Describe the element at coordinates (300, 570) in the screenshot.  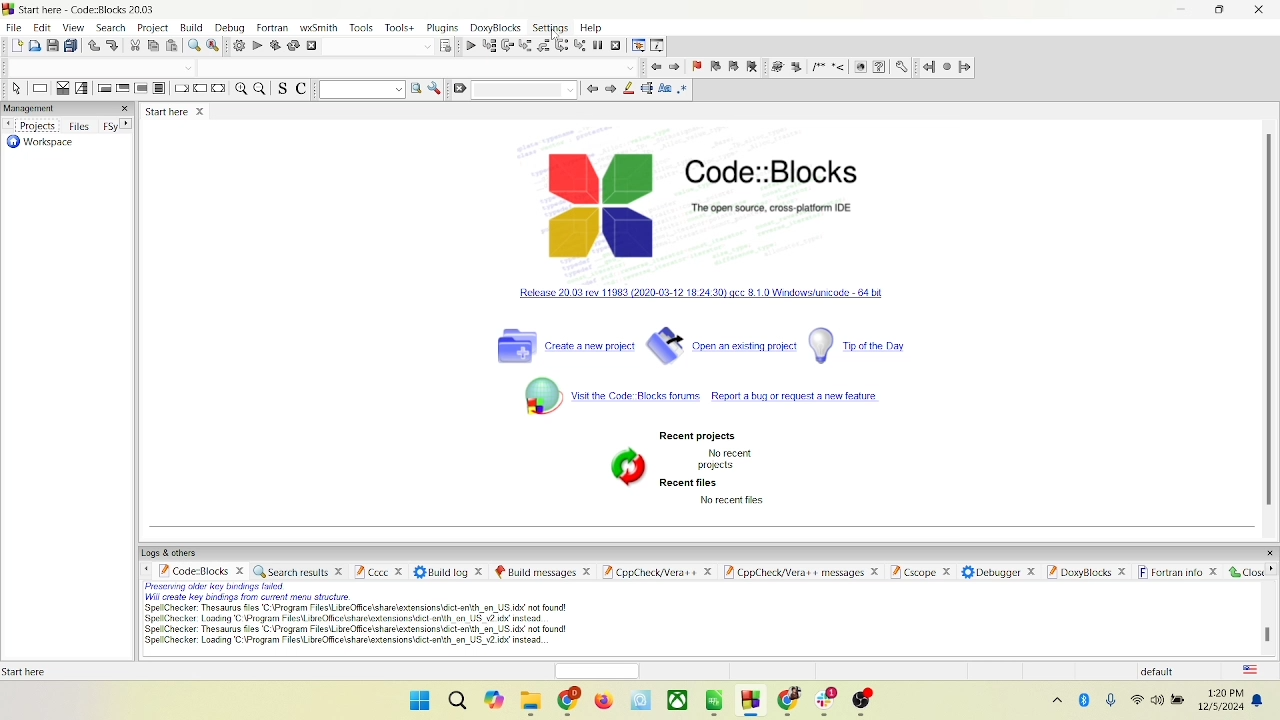
I see `search results` at that location.